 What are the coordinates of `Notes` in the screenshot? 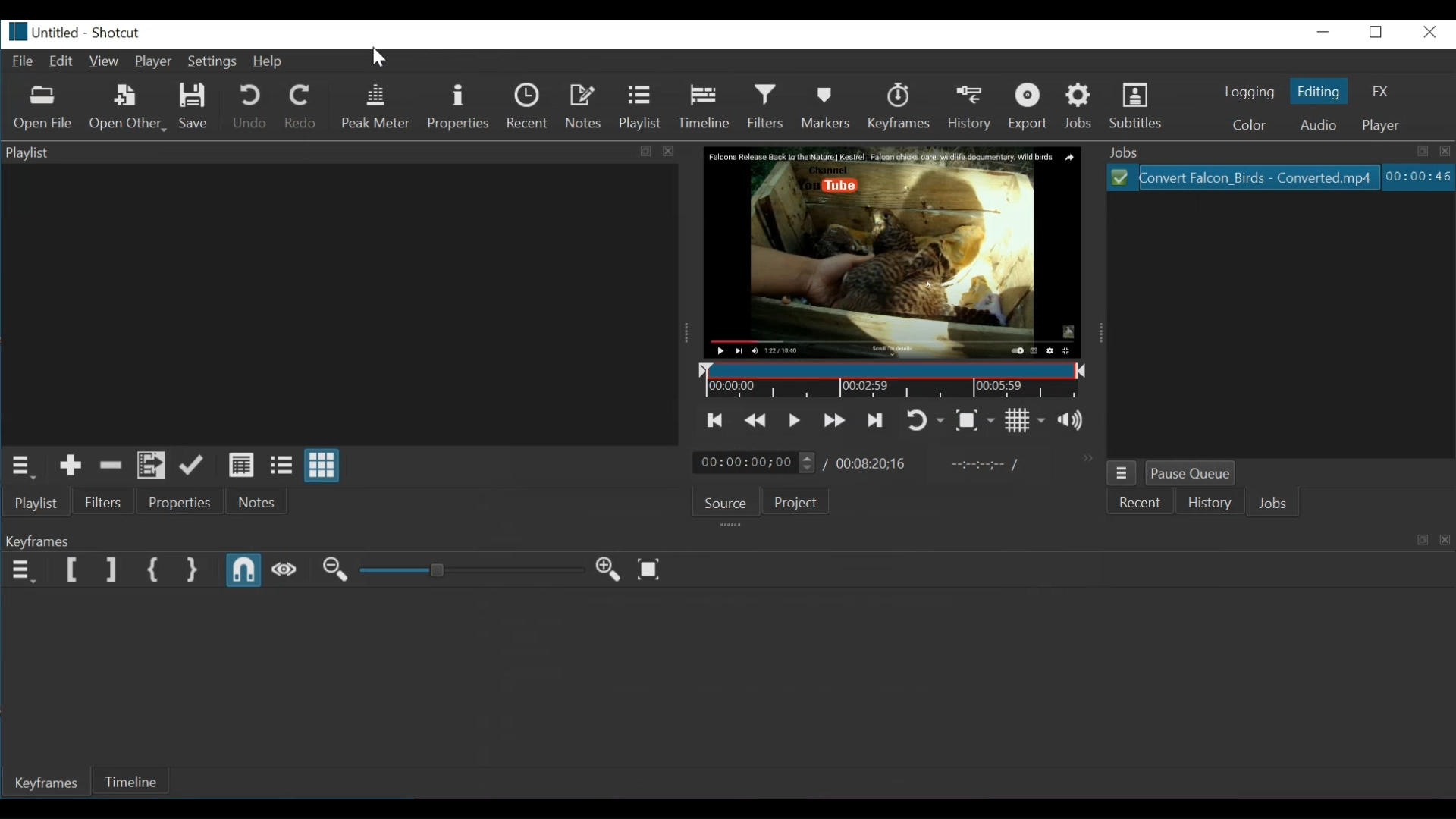 It's located at (256, 501).